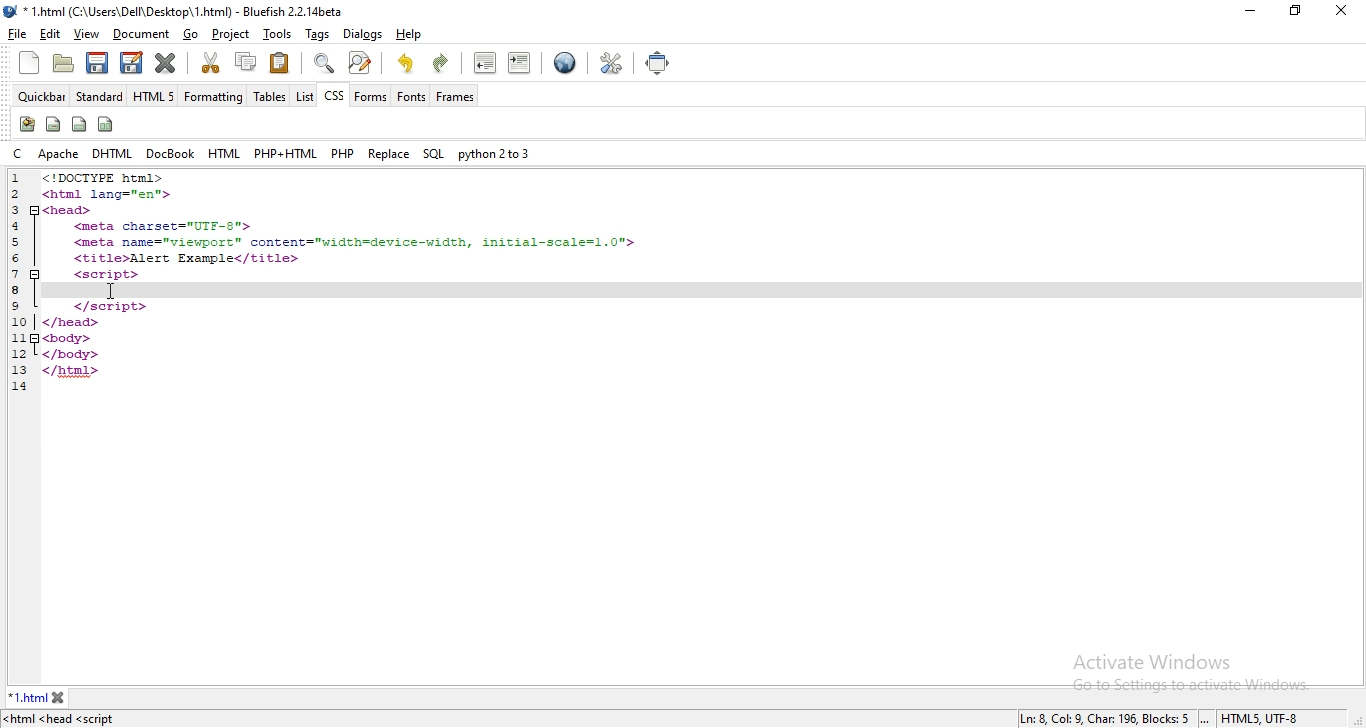  What do you see at coordinates (27, 697) in the screenshot?
I see `1.html` at bounding box center [27, 697].